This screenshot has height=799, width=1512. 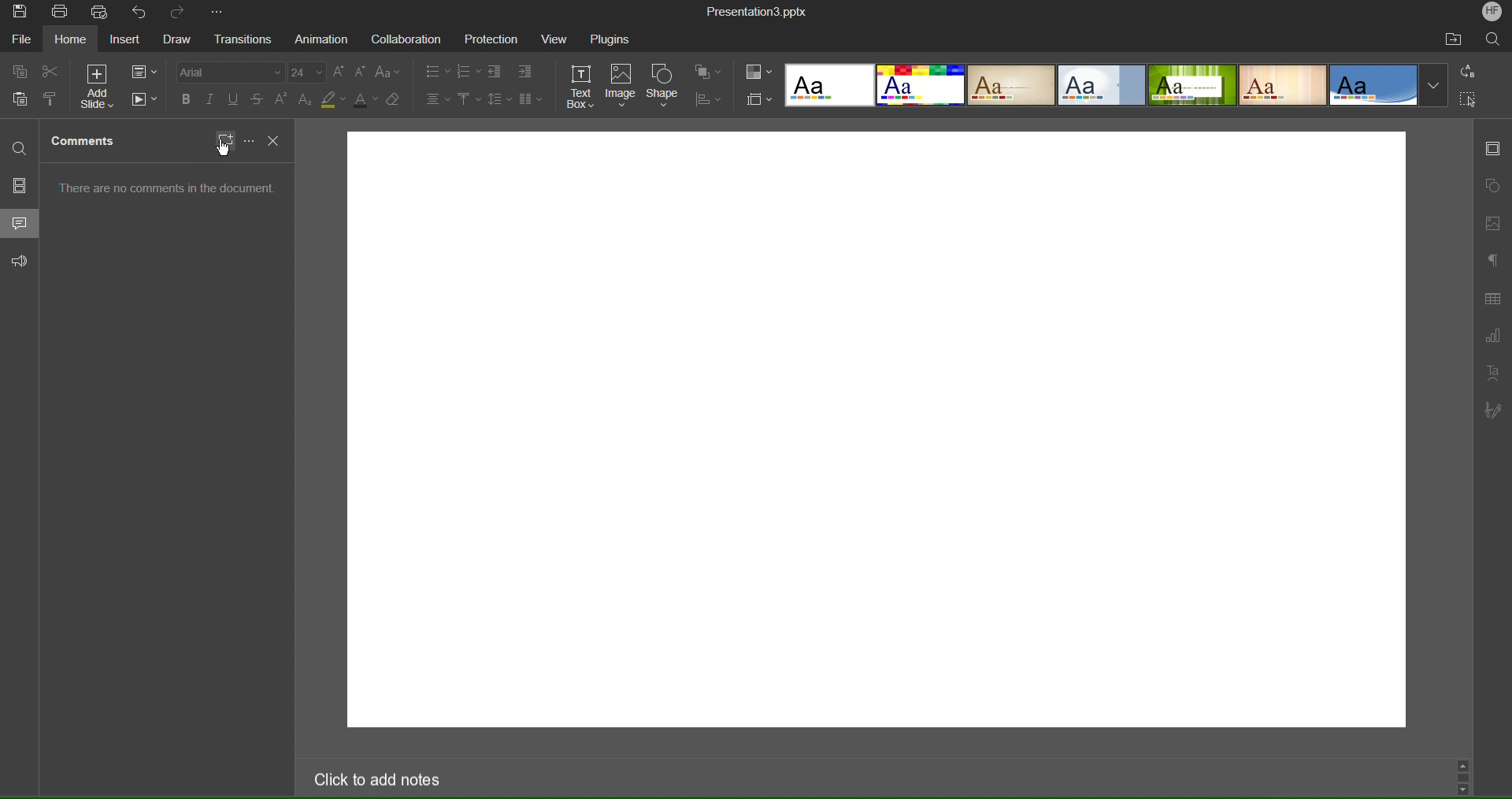 What do you see at coordinates (1492, 337) in the screenshot?
I see `Graph Settings` at bounding box center [1492, 337].